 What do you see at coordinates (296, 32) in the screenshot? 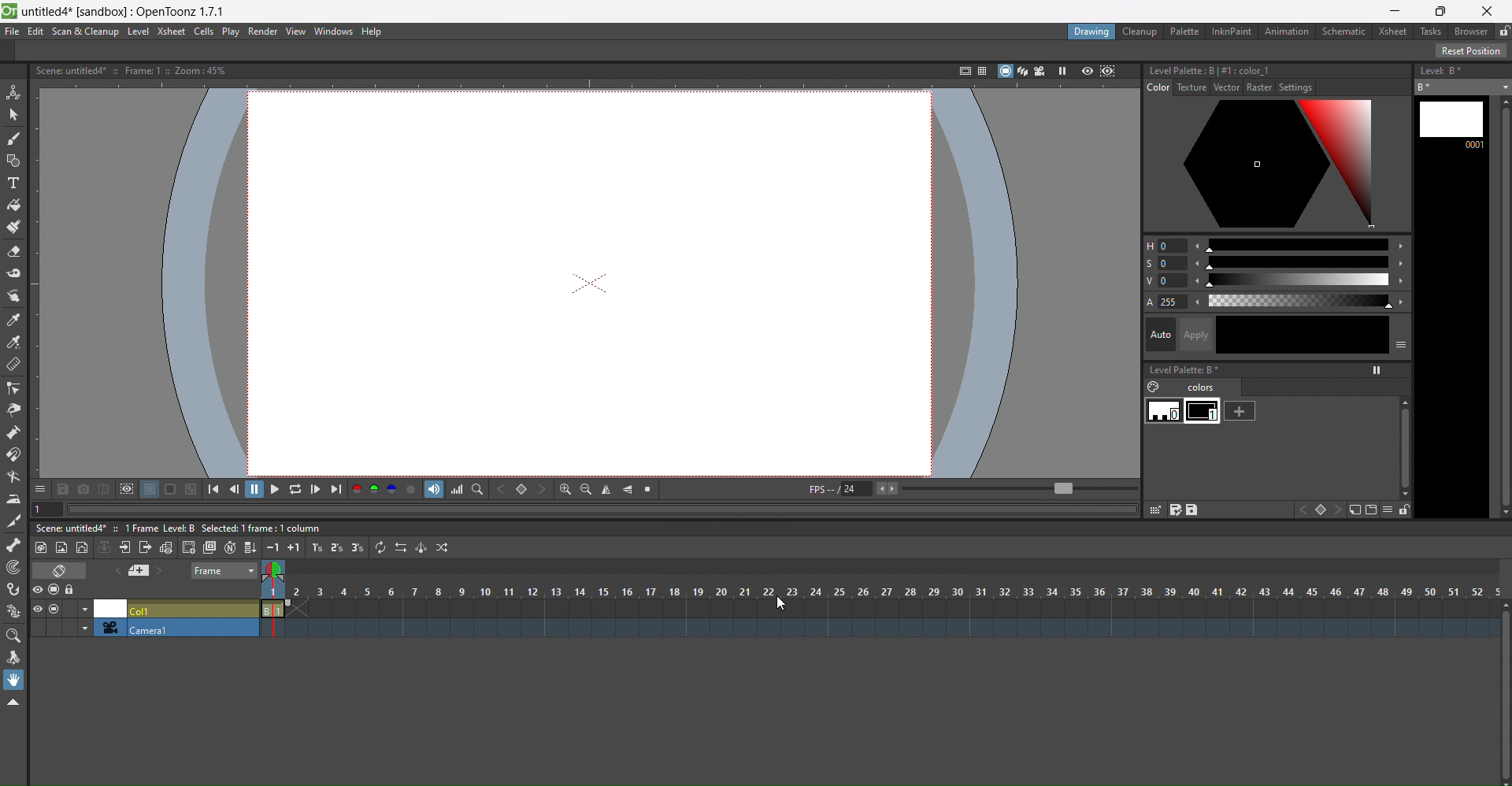
I see `view` at bounding box center [296, 32].